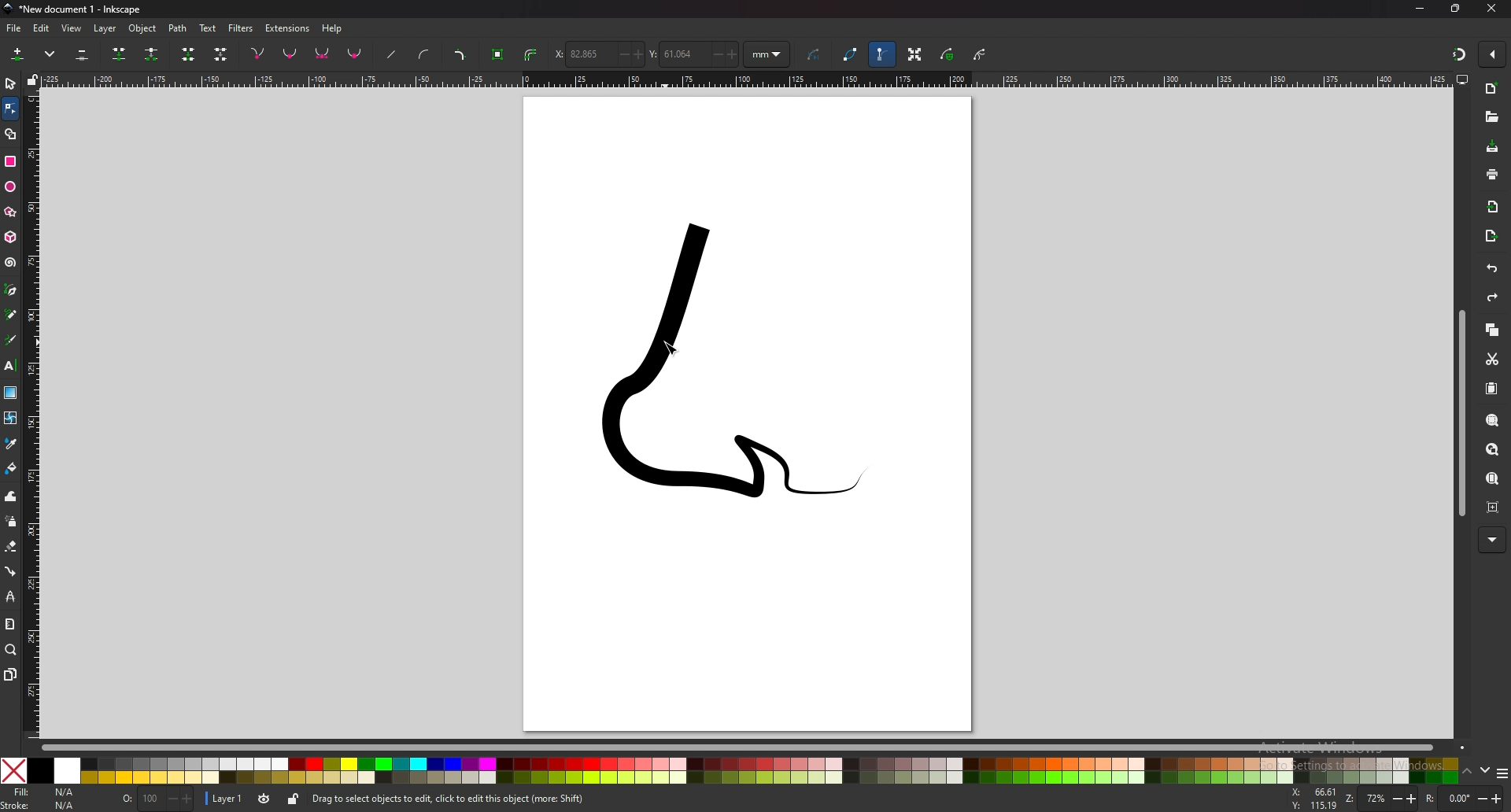  What do you see at coordinates (1494, 54) in the screenshot?
I see `enable snapping` at bounding box center [1494, 54].